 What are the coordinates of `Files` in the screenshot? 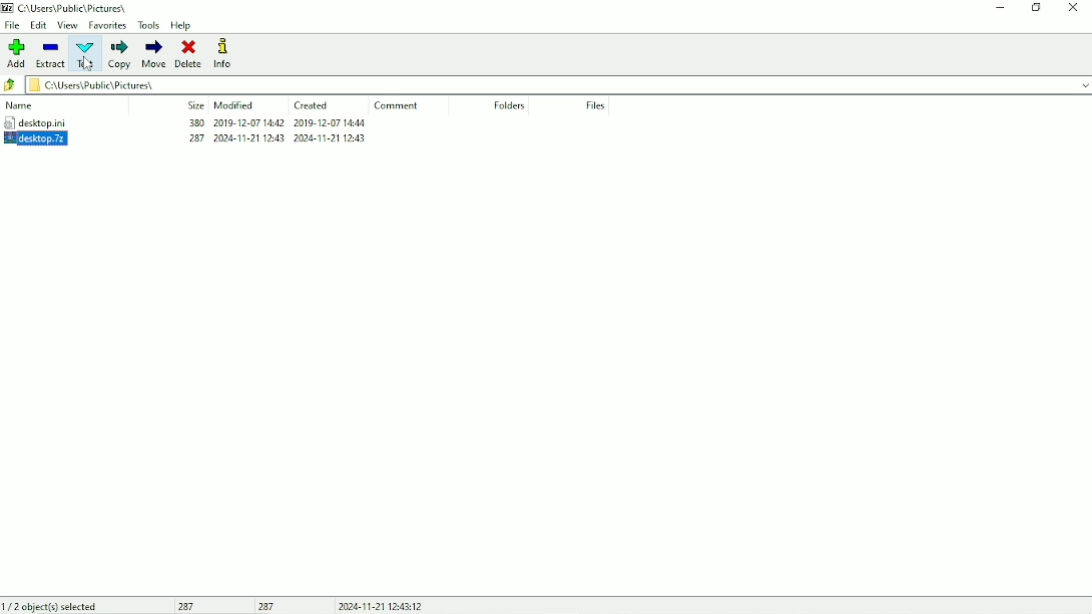 It's located at (596, 105).